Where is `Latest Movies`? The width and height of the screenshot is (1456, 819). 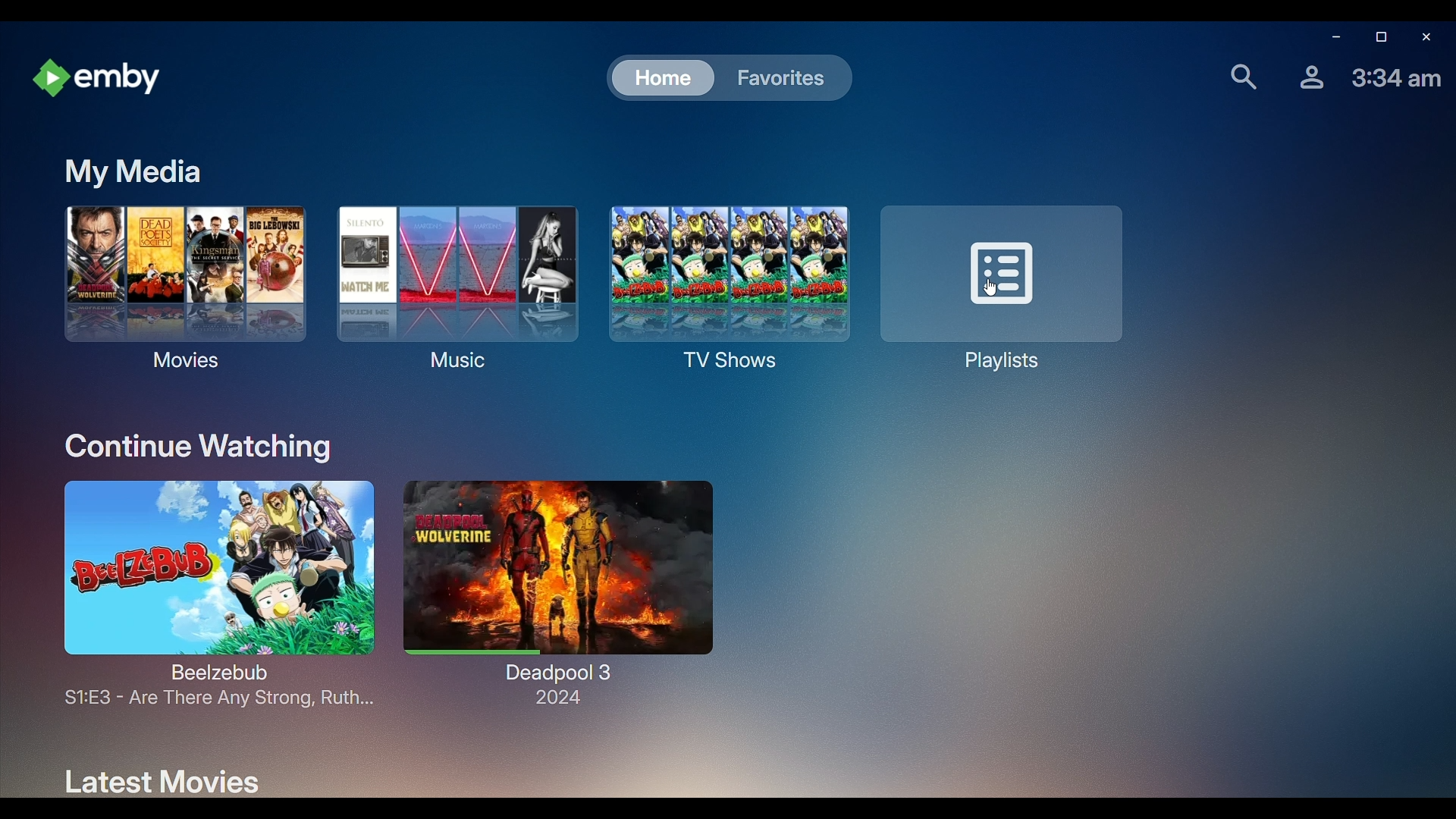 Latest Movies is located at coordinates (156, 780).